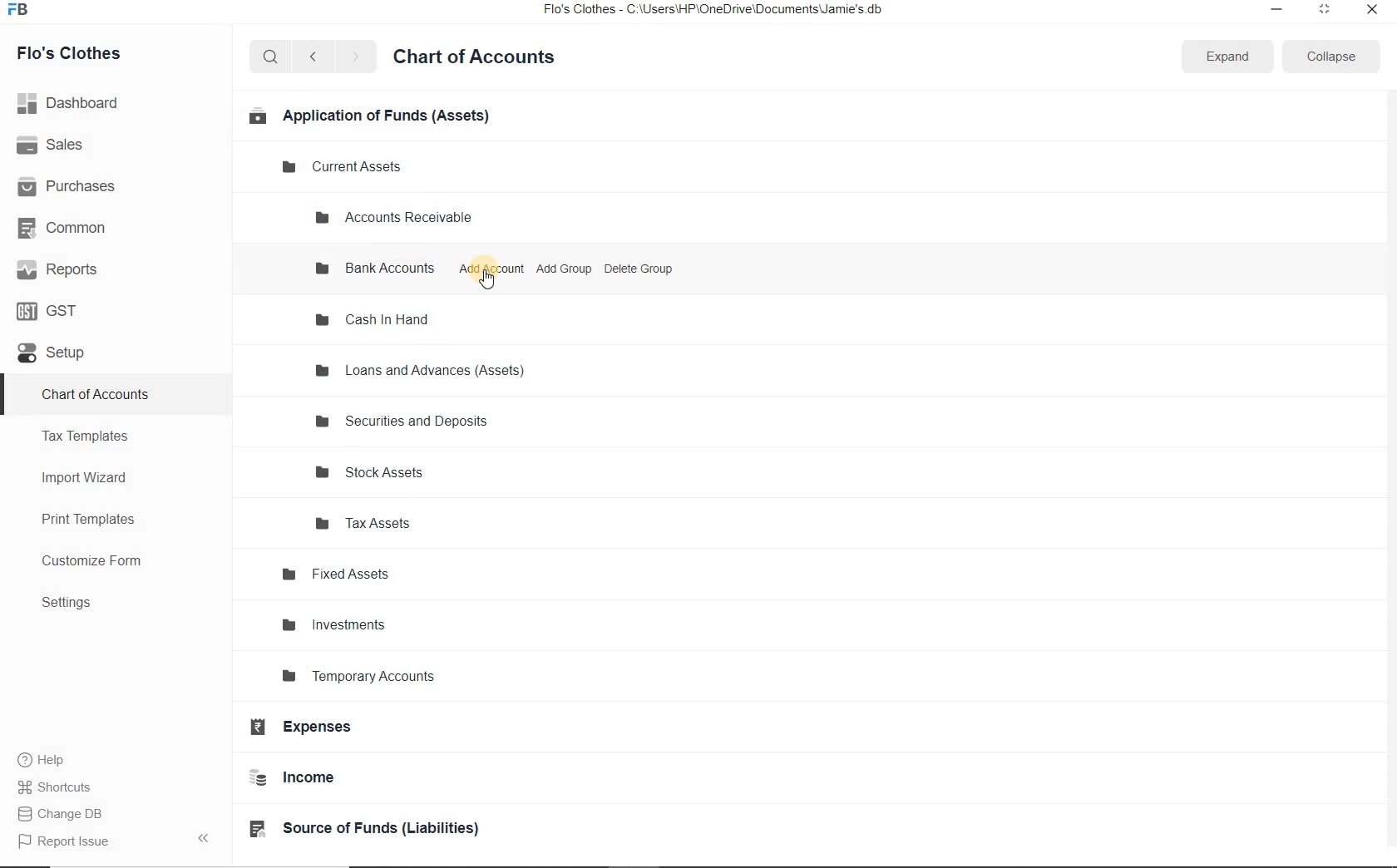 The width and height of the screenshot is (1397, 868). What do you see at coordinates (427, 372) in the screenshot?
I see `Loans and Advances (Assets)` at bounding box center [427, 372].